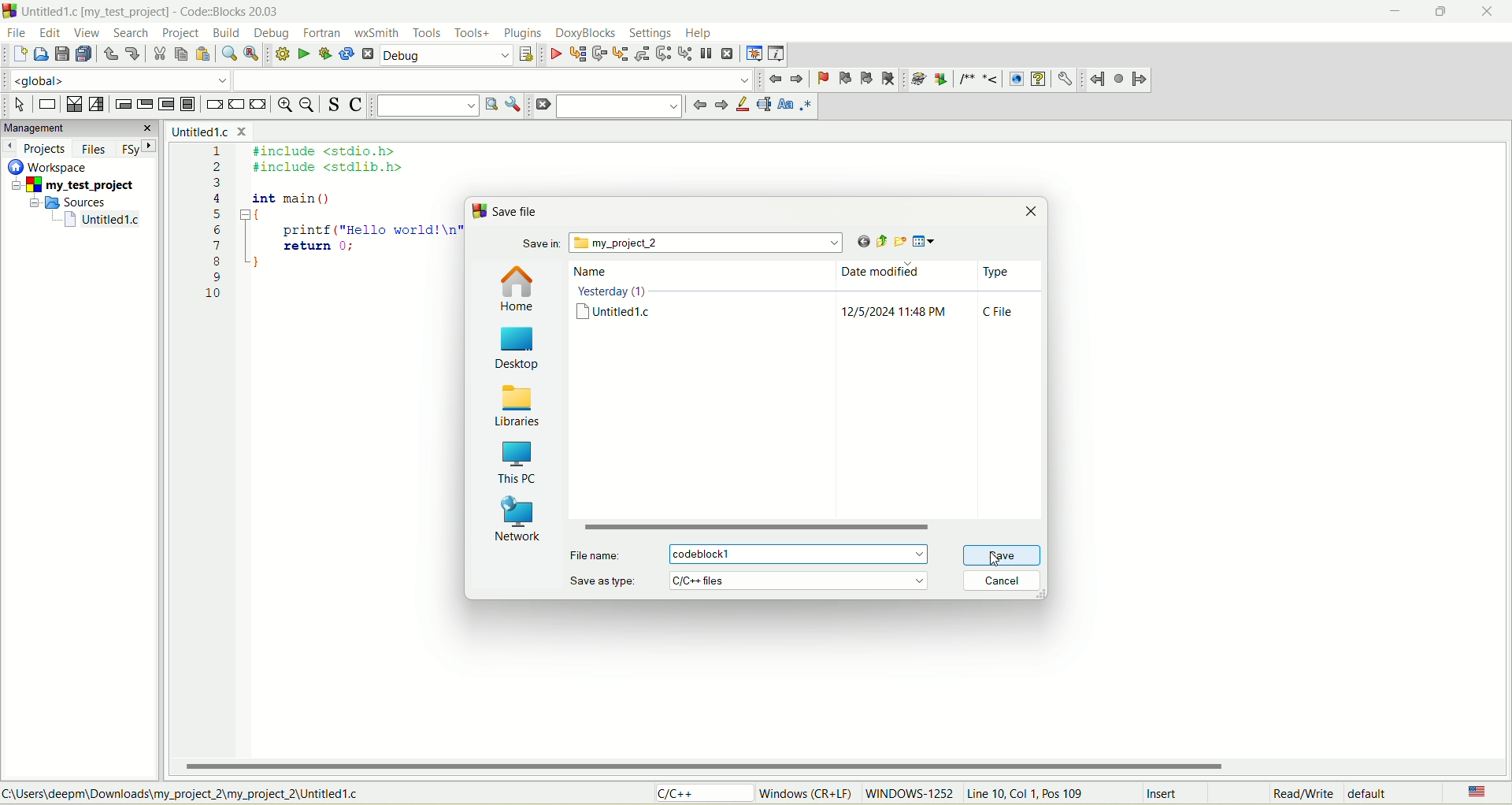 The image size is (1512, 805). What do you see at coordinates (132, 52) in the screenshot?
I see `redo` at bounding box center [132, 52].